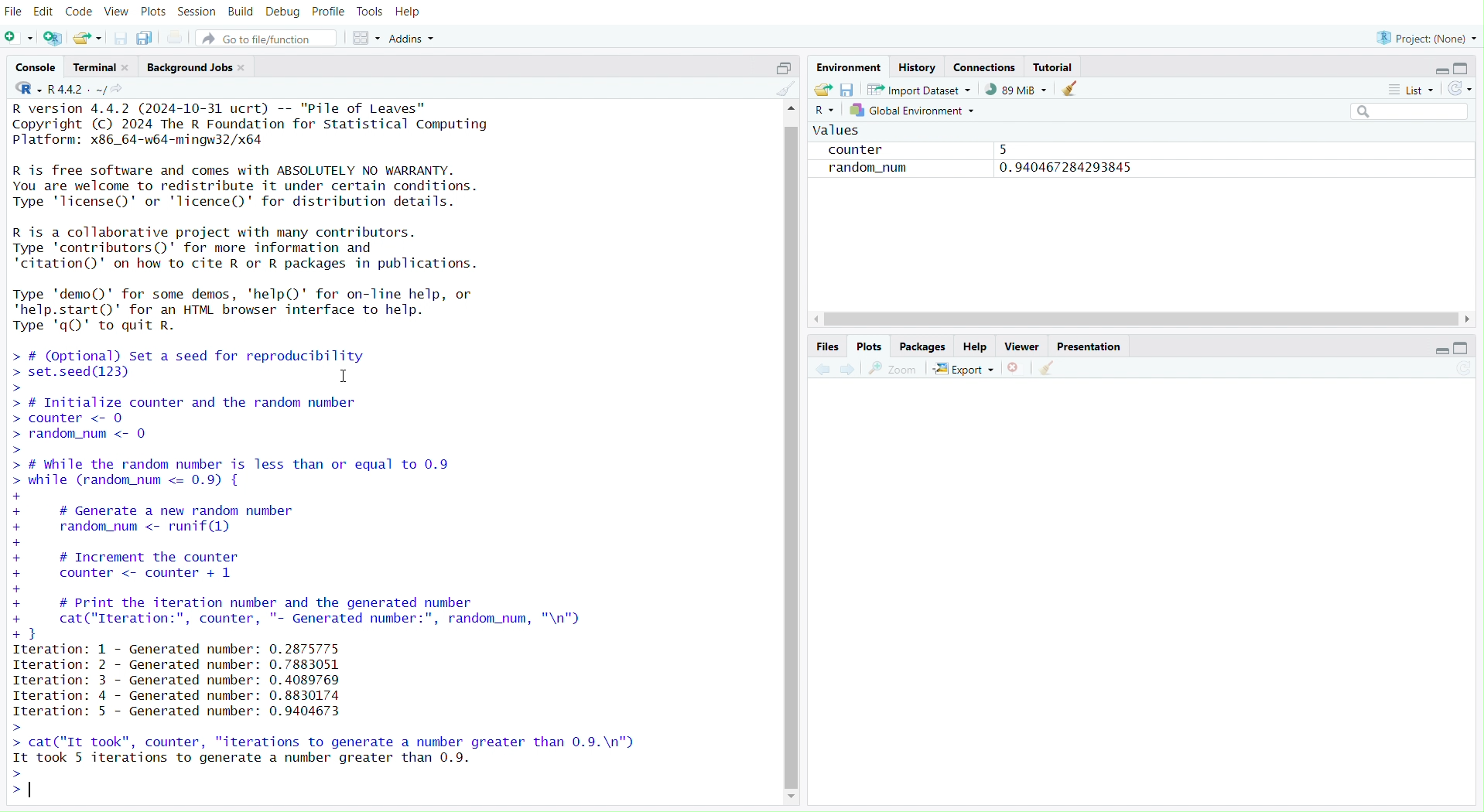 This screenshot has width=1484, height=812. What do you see at coordinates (922, 346) in the screenshot?
I see `Packages` at bounding box center [922, 346].